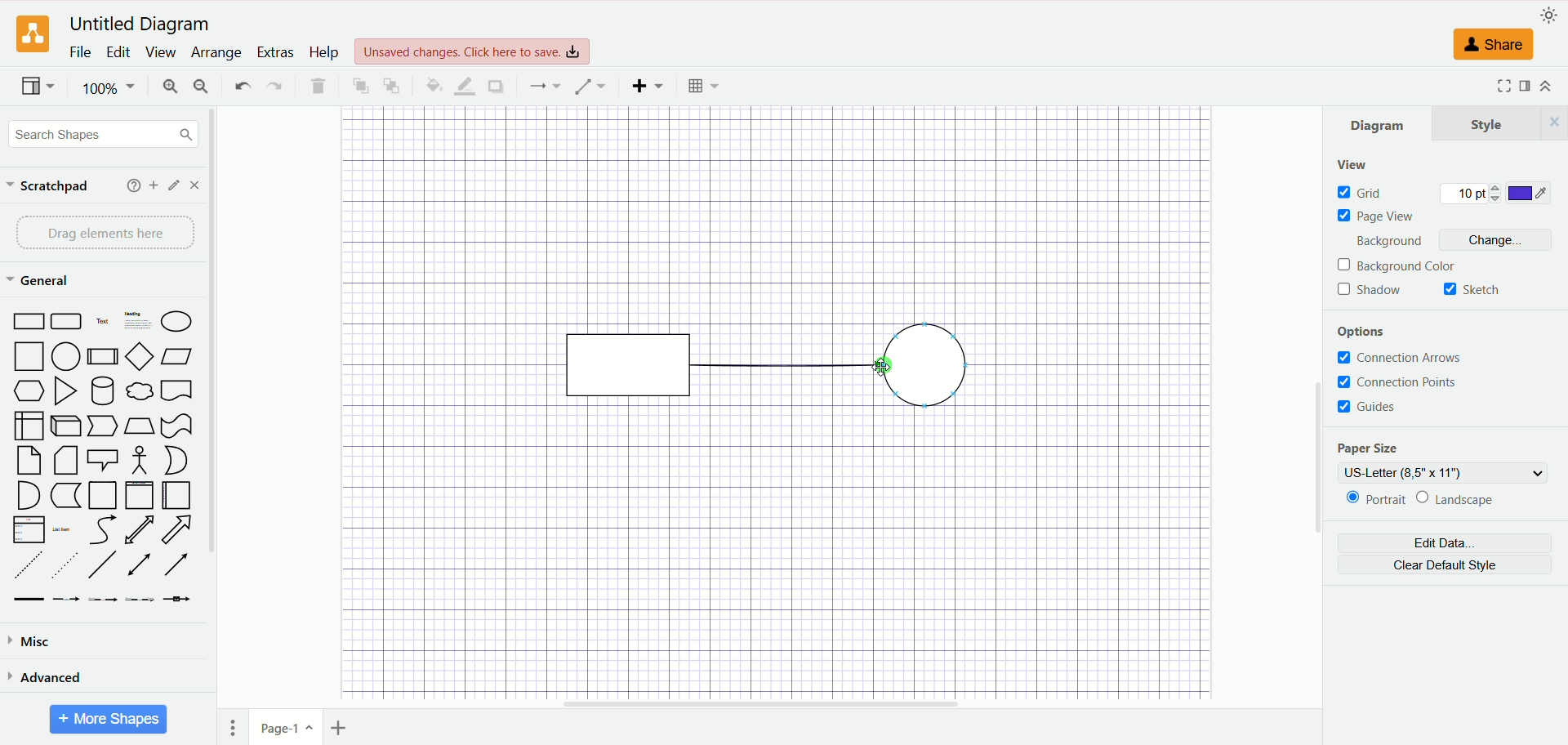 The image size is (1568, 745). Describe the element at coordinates (31, 564) in the screenshot. I see `Dashed Line` at that location.